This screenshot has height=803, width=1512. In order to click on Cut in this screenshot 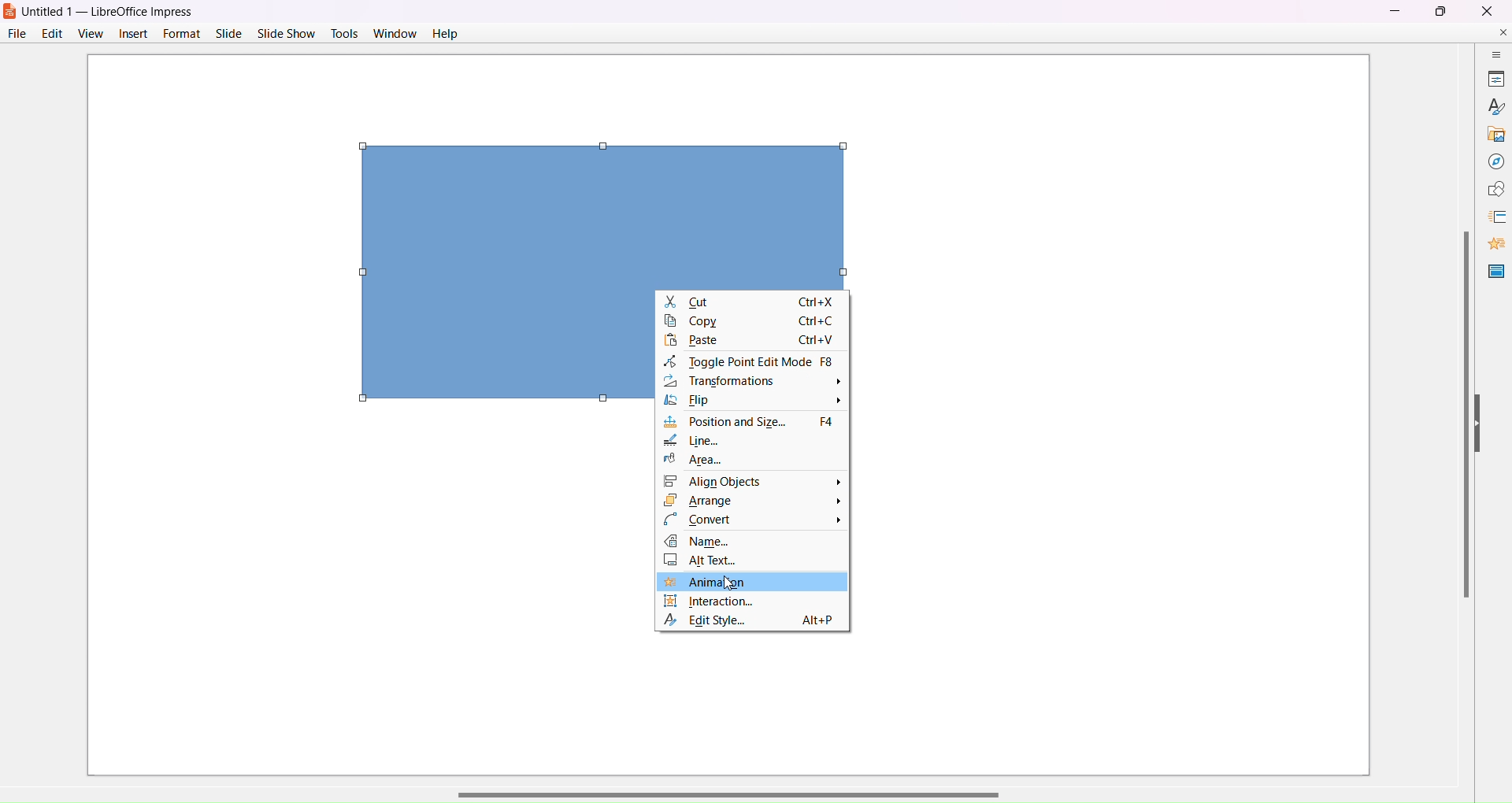, I will do `click(753, 302)`.